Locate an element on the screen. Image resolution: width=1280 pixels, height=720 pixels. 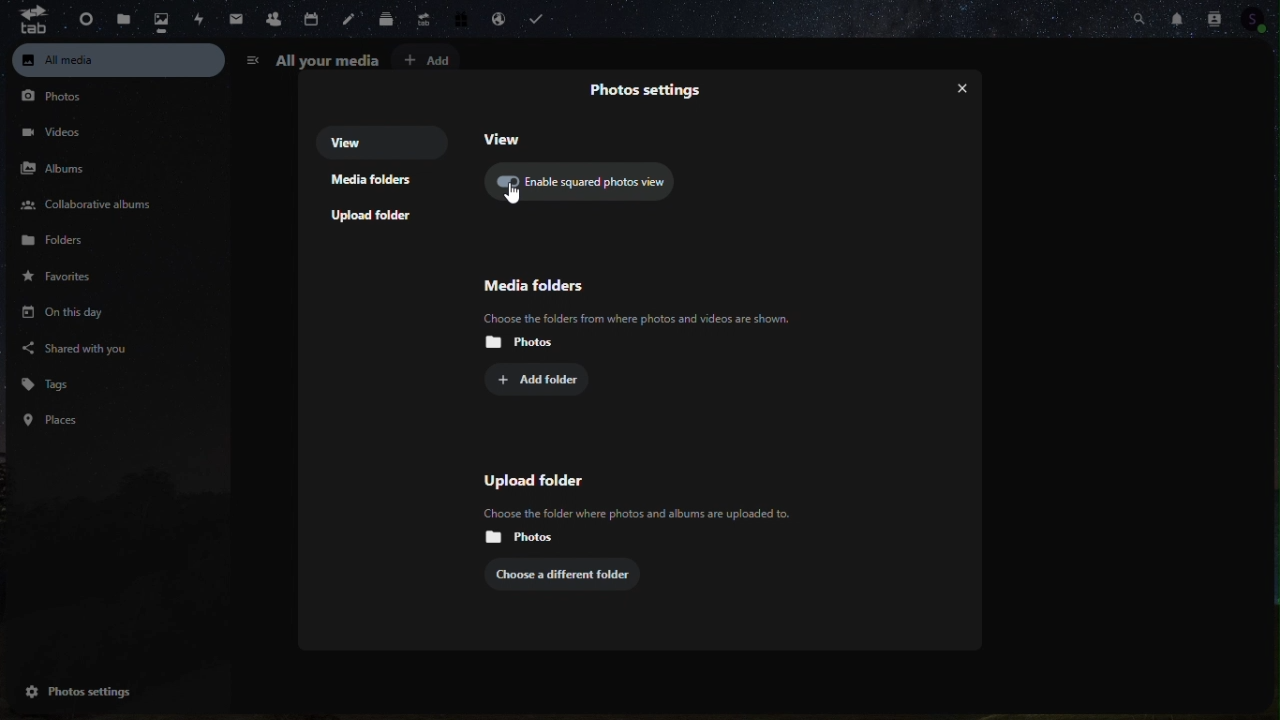
file is located at coordinates (123, 20).